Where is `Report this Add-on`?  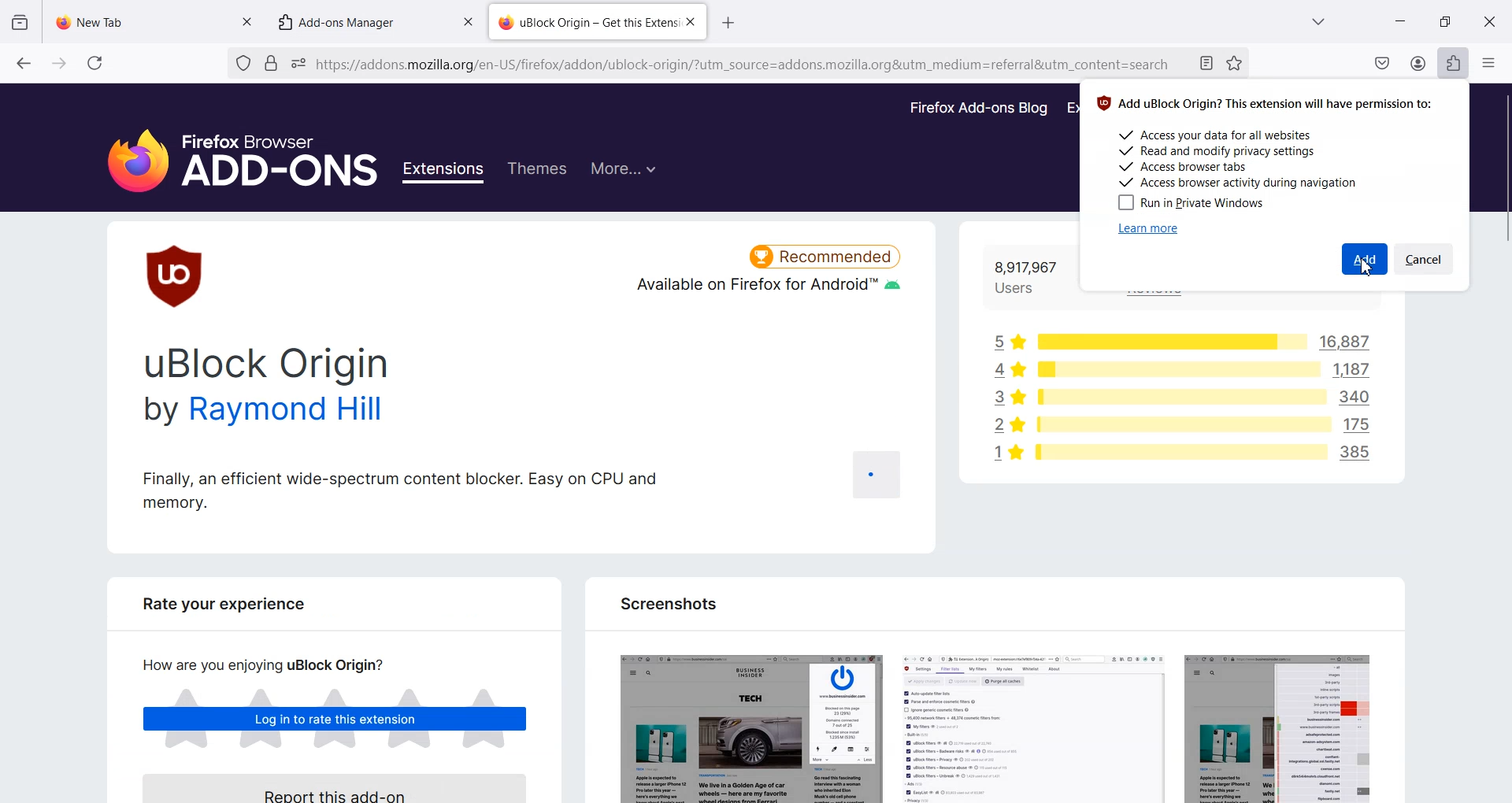 Report this Add-on is located at coordinates (344, 786).